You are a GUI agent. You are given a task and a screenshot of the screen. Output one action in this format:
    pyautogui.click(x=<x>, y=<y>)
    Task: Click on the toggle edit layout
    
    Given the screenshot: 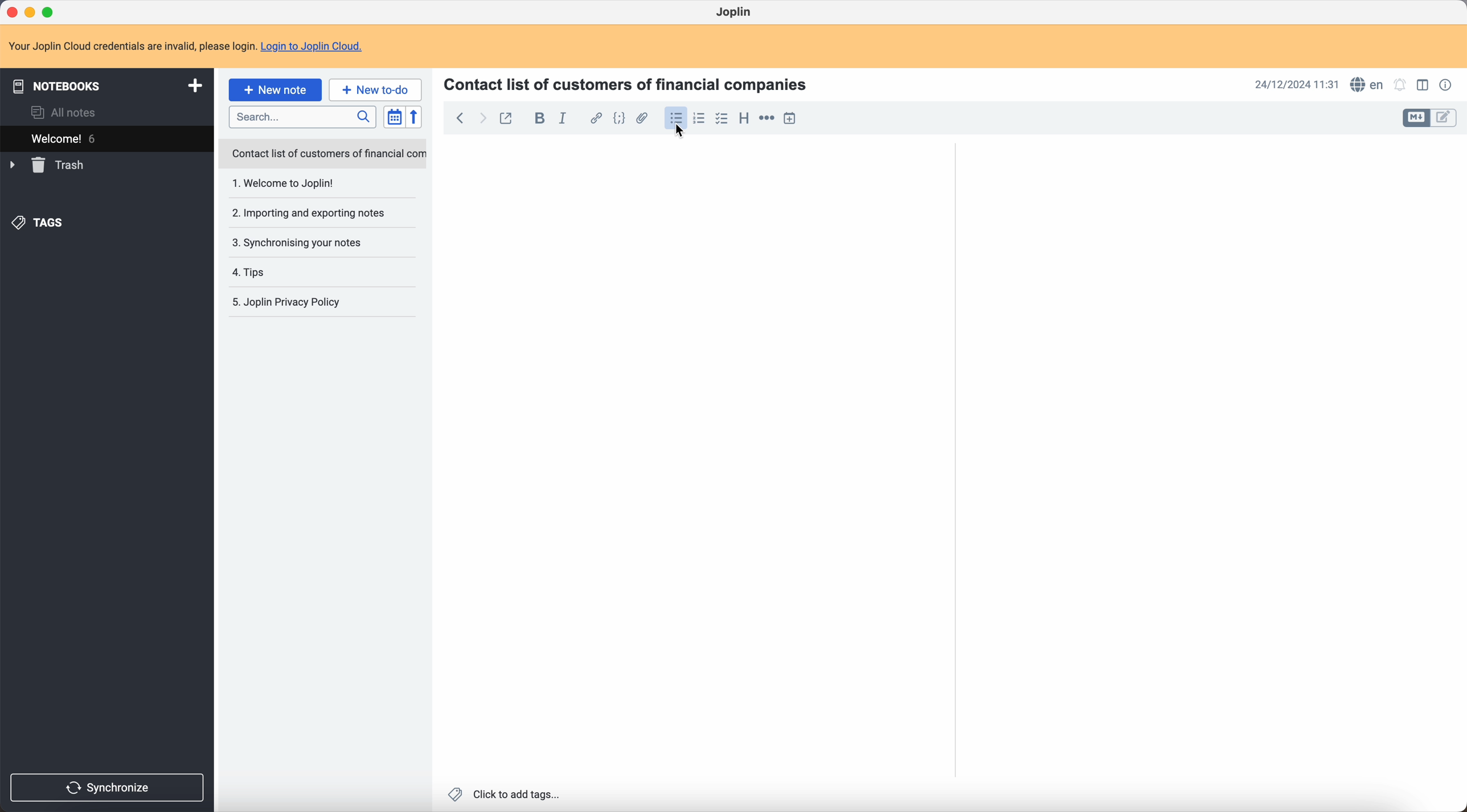 What is the action you would take?
    pyautogui.click(x=1444, y=118)
    